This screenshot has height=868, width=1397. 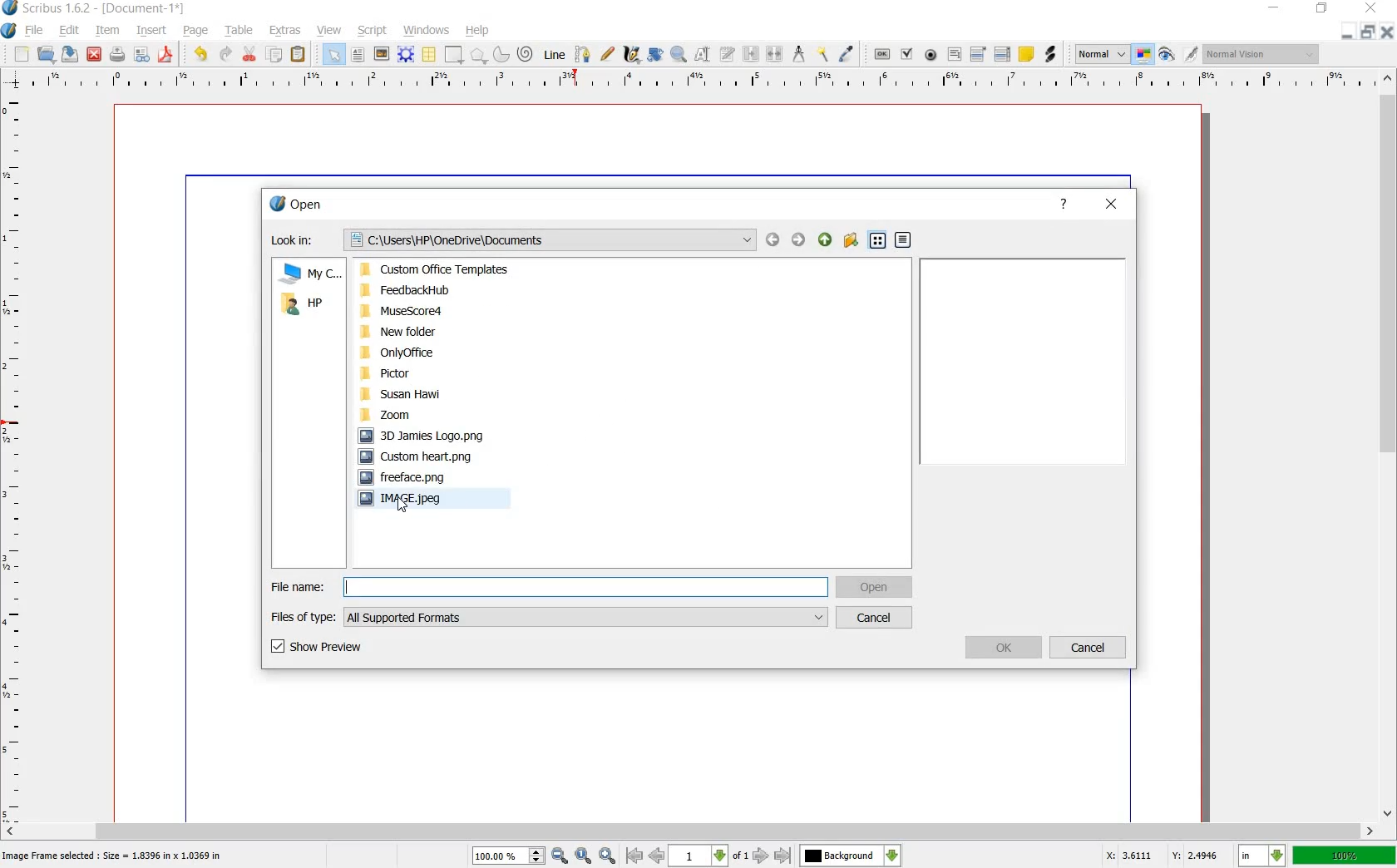 What do you see at coordinates (1389, 30) in the screenshot?
I see `close document` at bounding box center [1389, 30].